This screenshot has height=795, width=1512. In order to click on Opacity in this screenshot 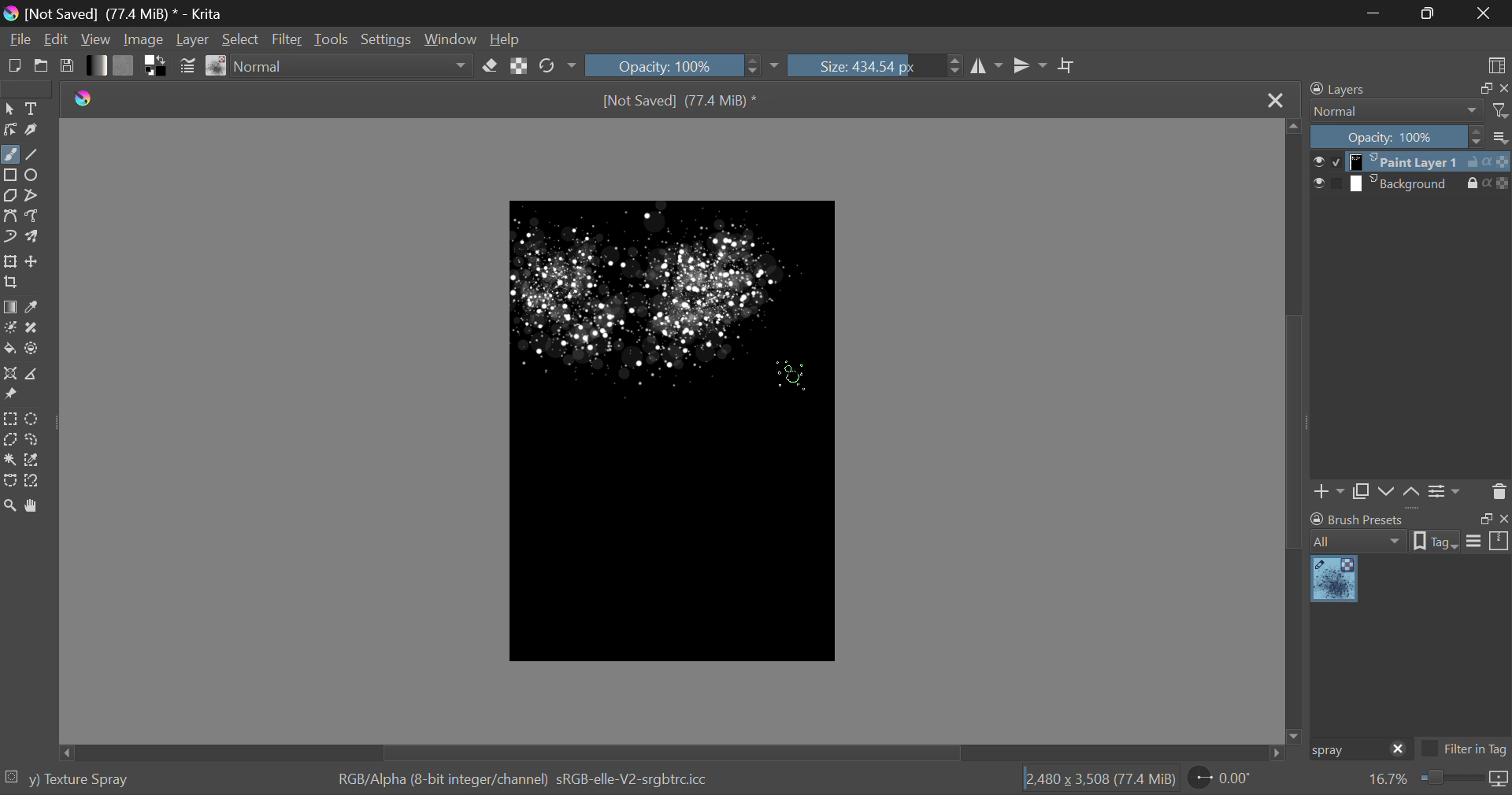, I will do `click(684, 65)`.